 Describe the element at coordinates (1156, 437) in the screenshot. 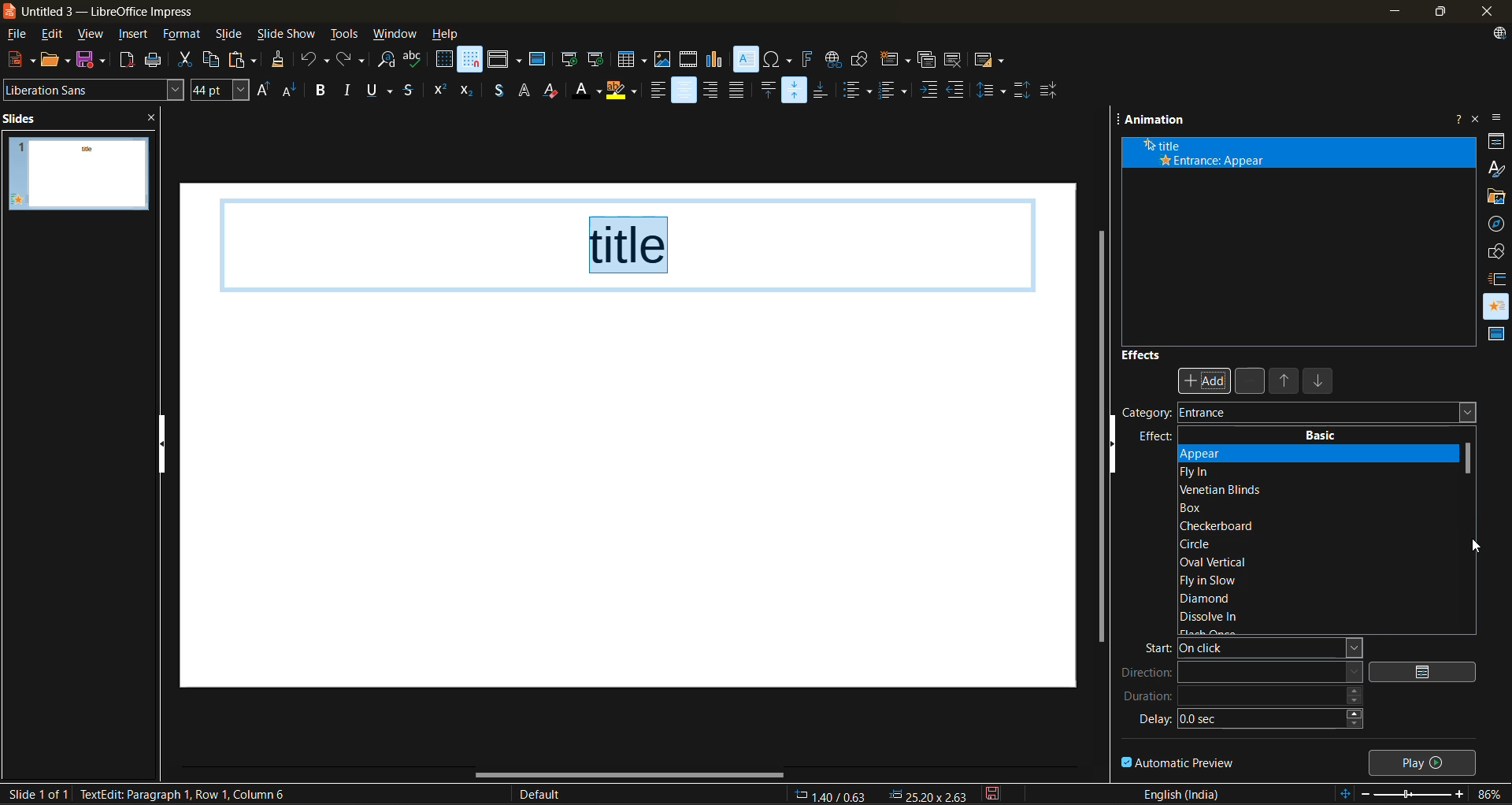

I see `effect` at that location.